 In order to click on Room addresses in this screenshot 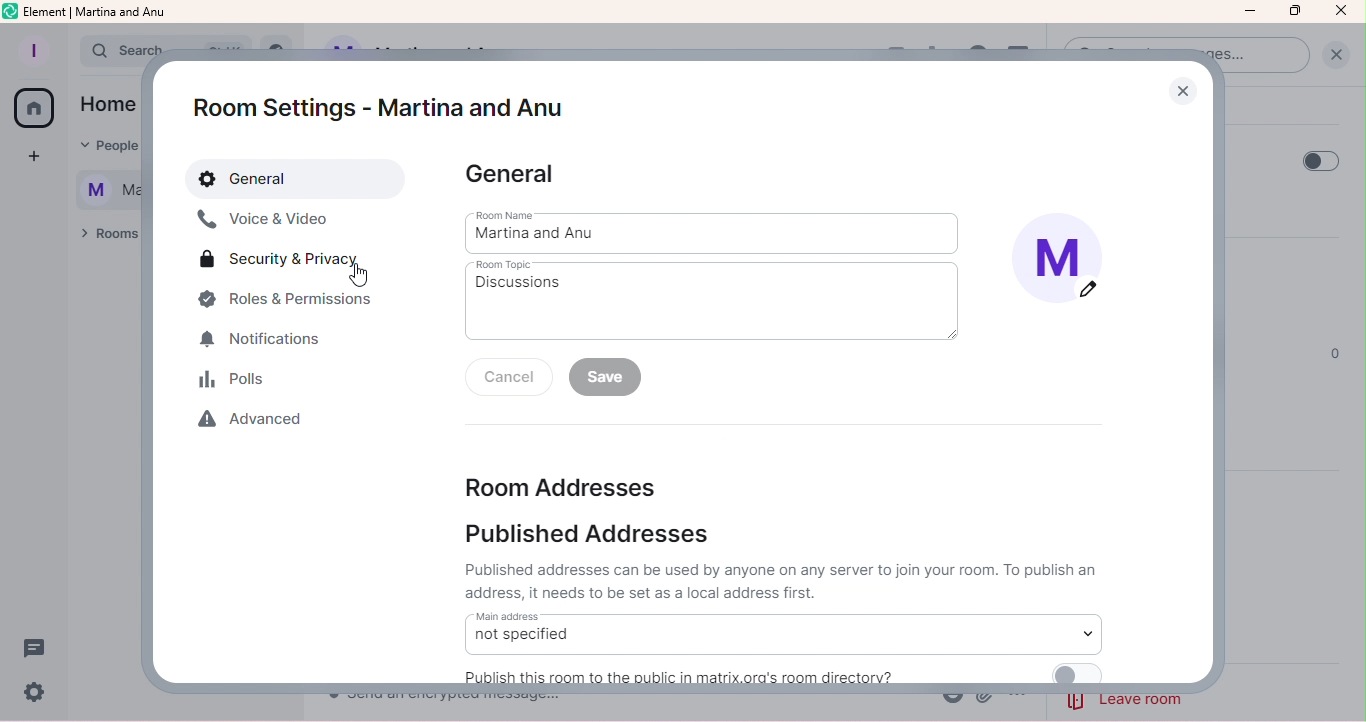, I will do `click(567, 489)`.